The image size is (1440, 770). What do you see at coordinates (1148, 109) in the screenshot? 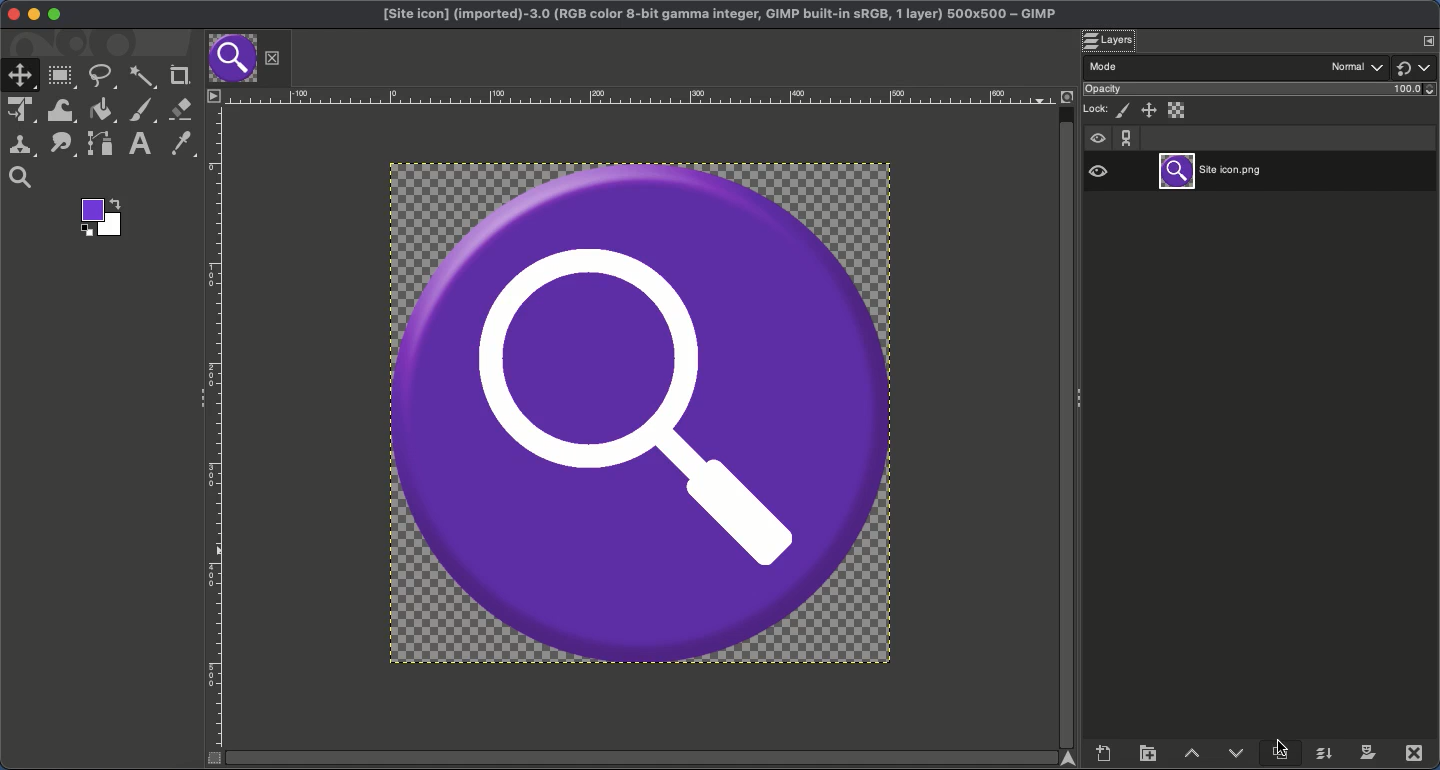
I see `Position and size` at bounding box center [1148, 109].